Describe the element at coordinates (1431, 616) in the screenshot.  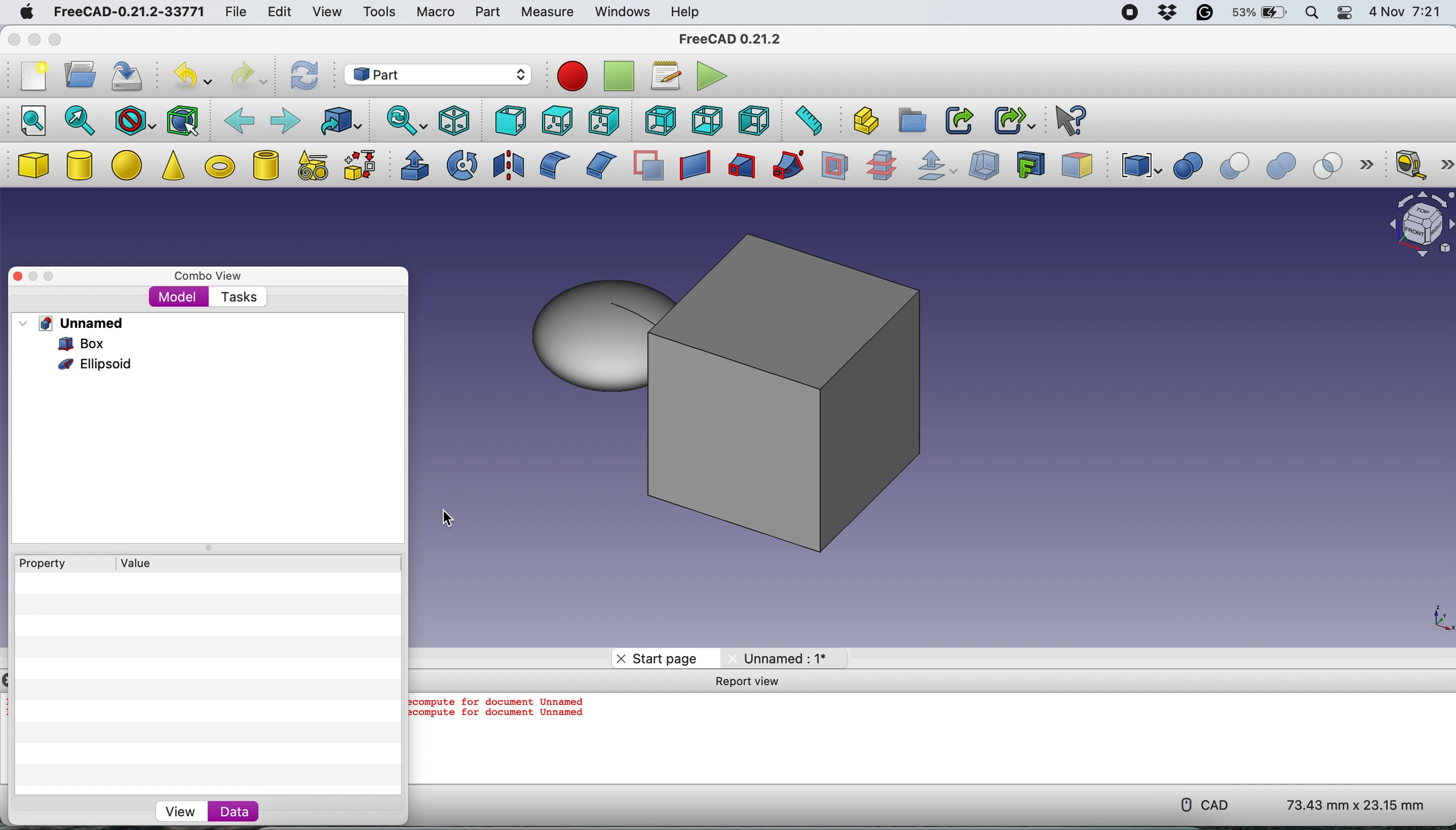
I see `xy coordinate` at that location.